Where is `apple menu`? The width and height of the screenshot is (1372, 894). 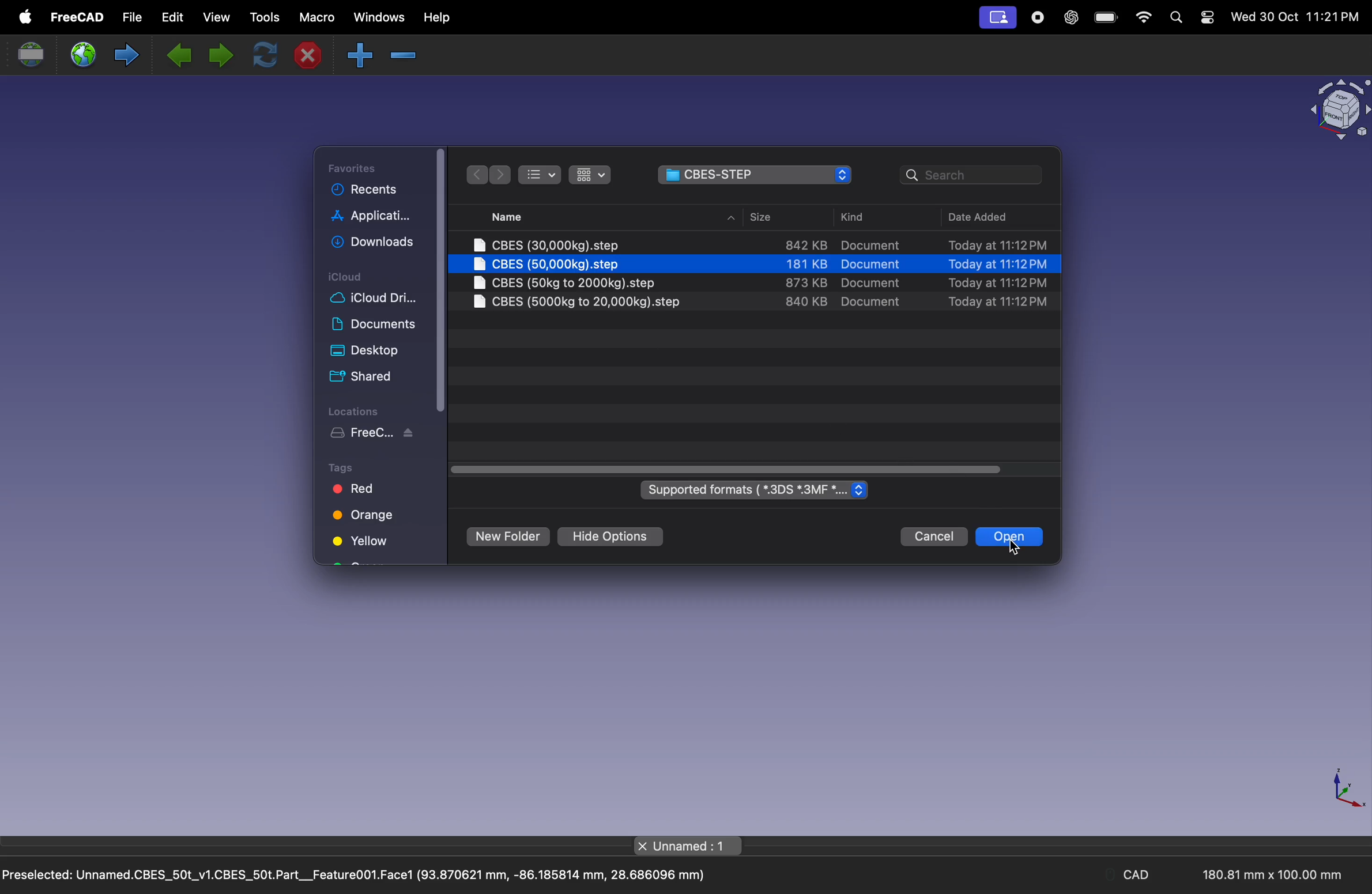
apple menu is located at coordinates (24, 16).